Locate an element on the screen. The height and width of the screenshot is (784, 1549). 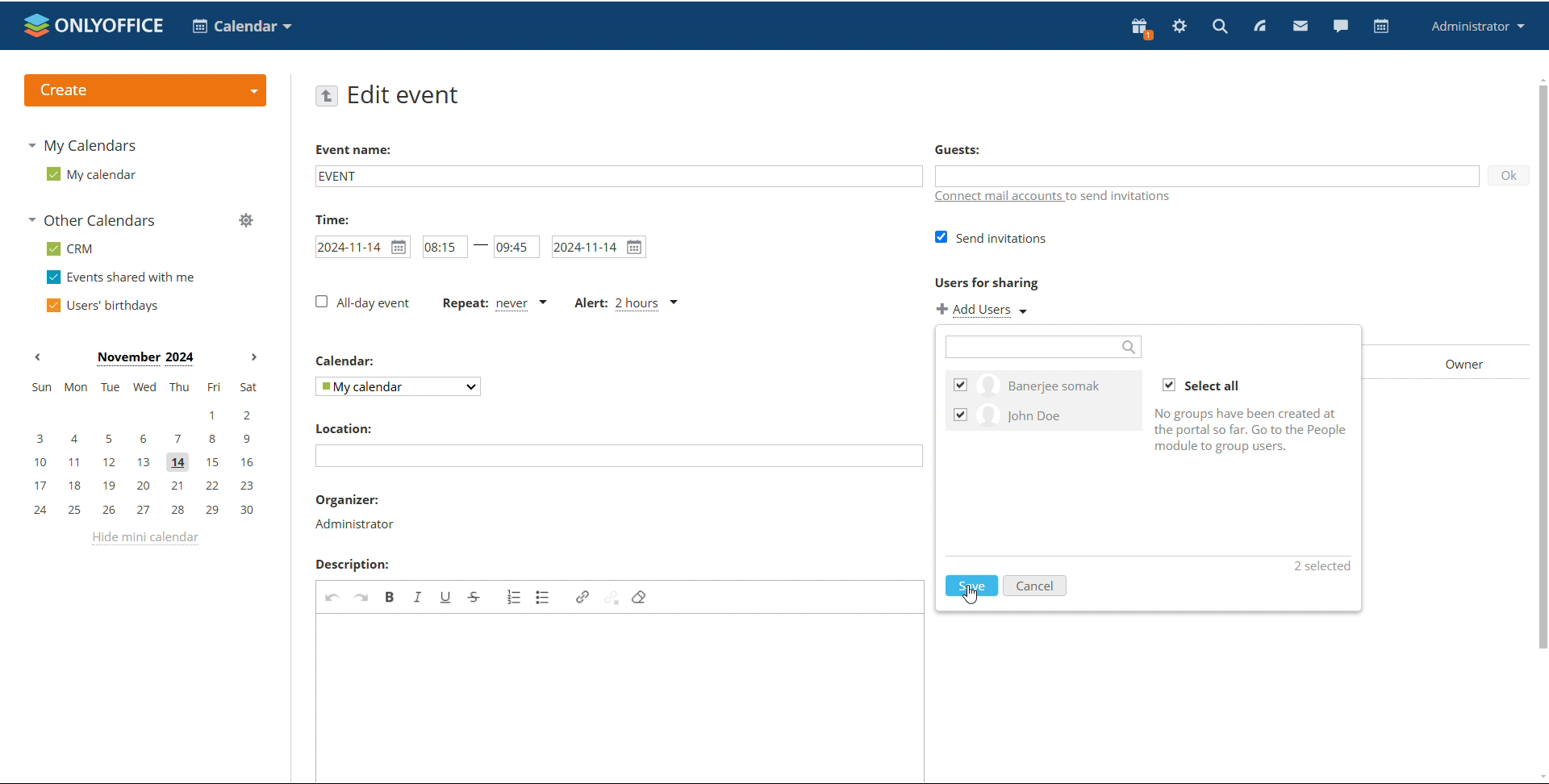
select all ticked is located at coordinates (1202, 386).